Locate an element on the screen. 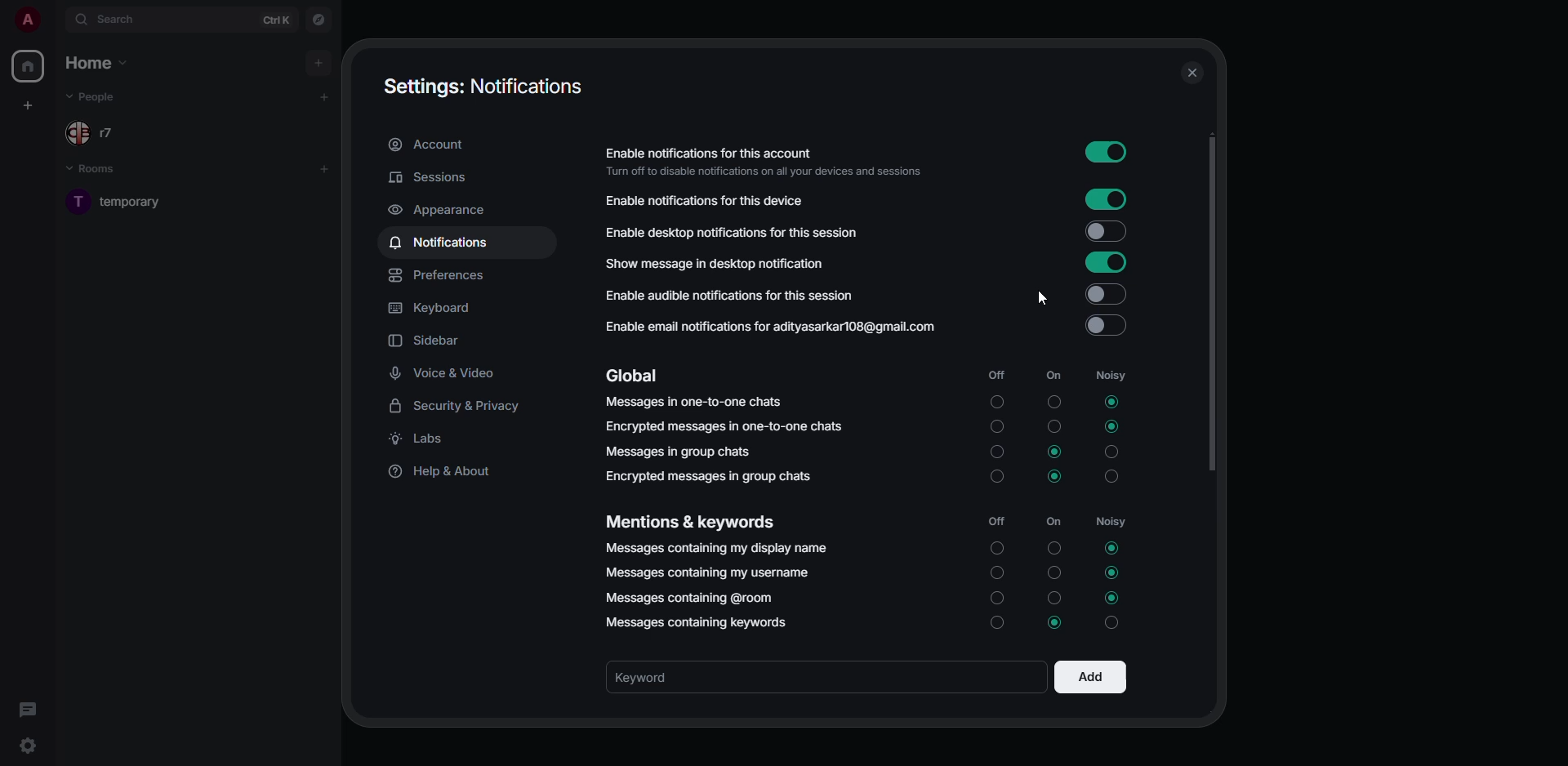 This screenshot has height=766, width=1568. disabled is located at coordinates (1107, 293).